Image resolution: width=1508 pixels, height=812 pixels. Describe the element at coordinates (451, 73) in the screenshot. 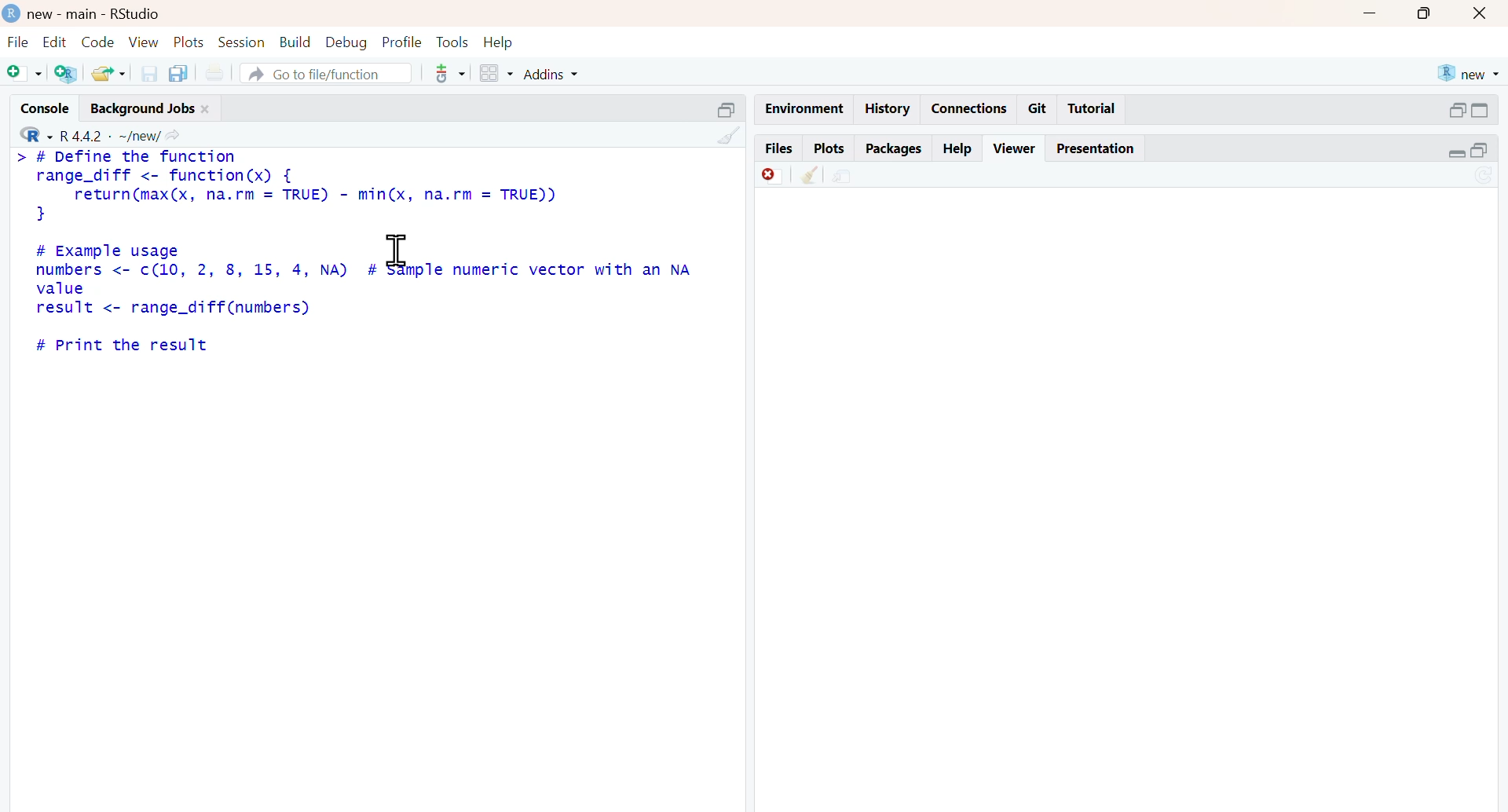

I see `tools` at that location.